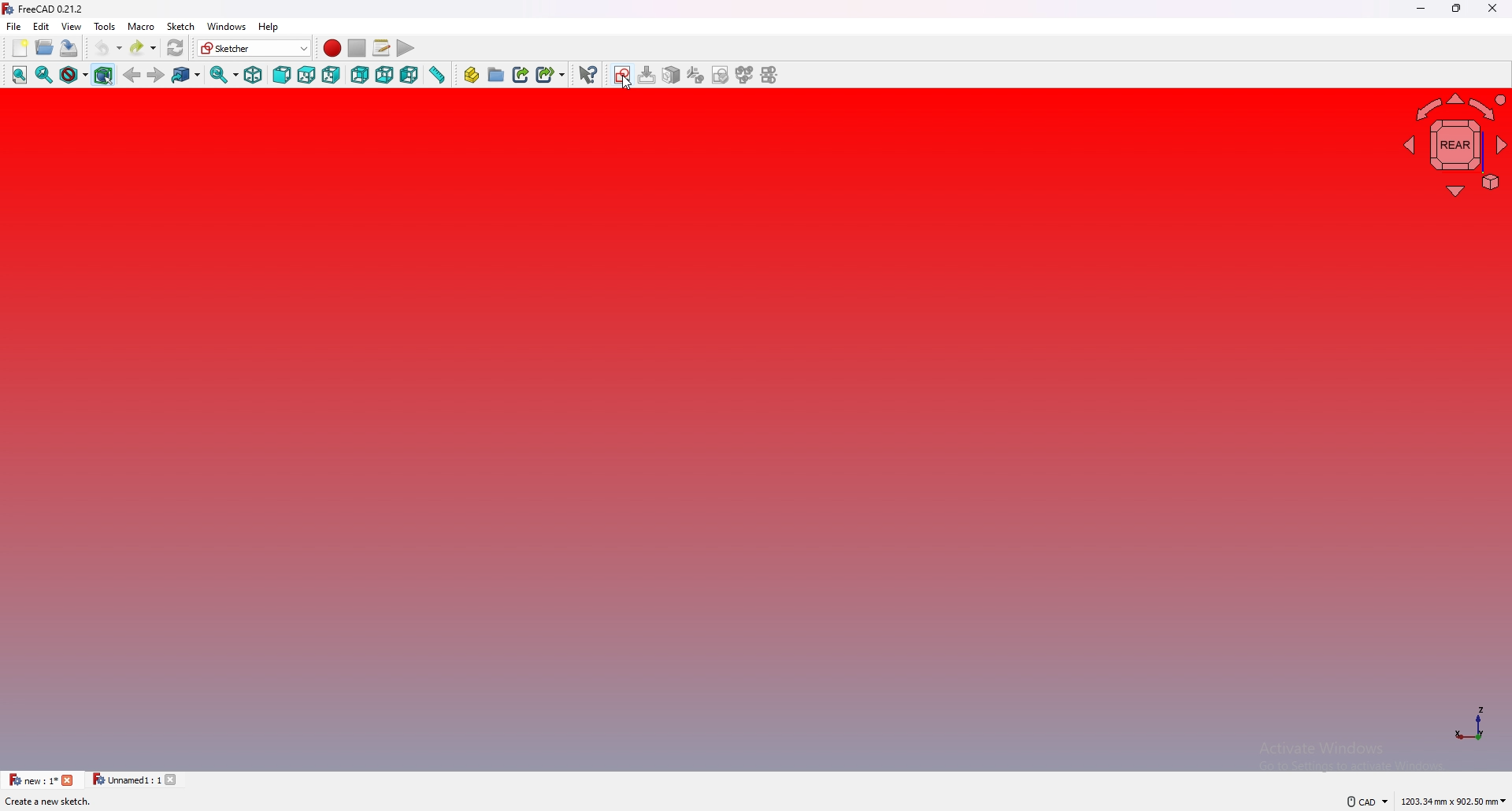 The image size is (1512, 811). What do you see at coordinates (19, 75) in the screenshot?
I see `fit all` at bounding box center [19, 75].